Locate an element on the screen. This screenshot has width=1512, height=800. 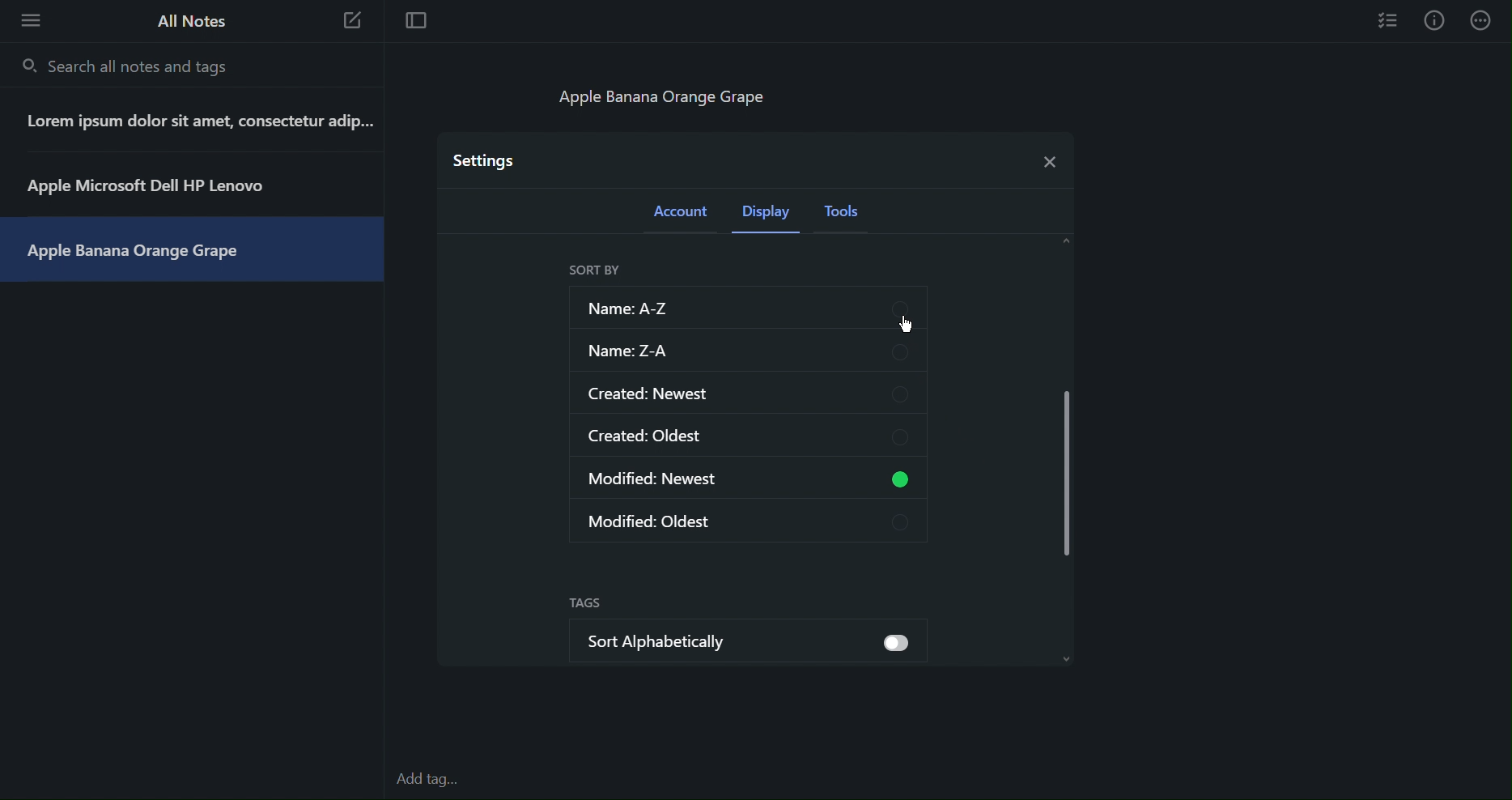
New Note is located at coordinates (353, 23).